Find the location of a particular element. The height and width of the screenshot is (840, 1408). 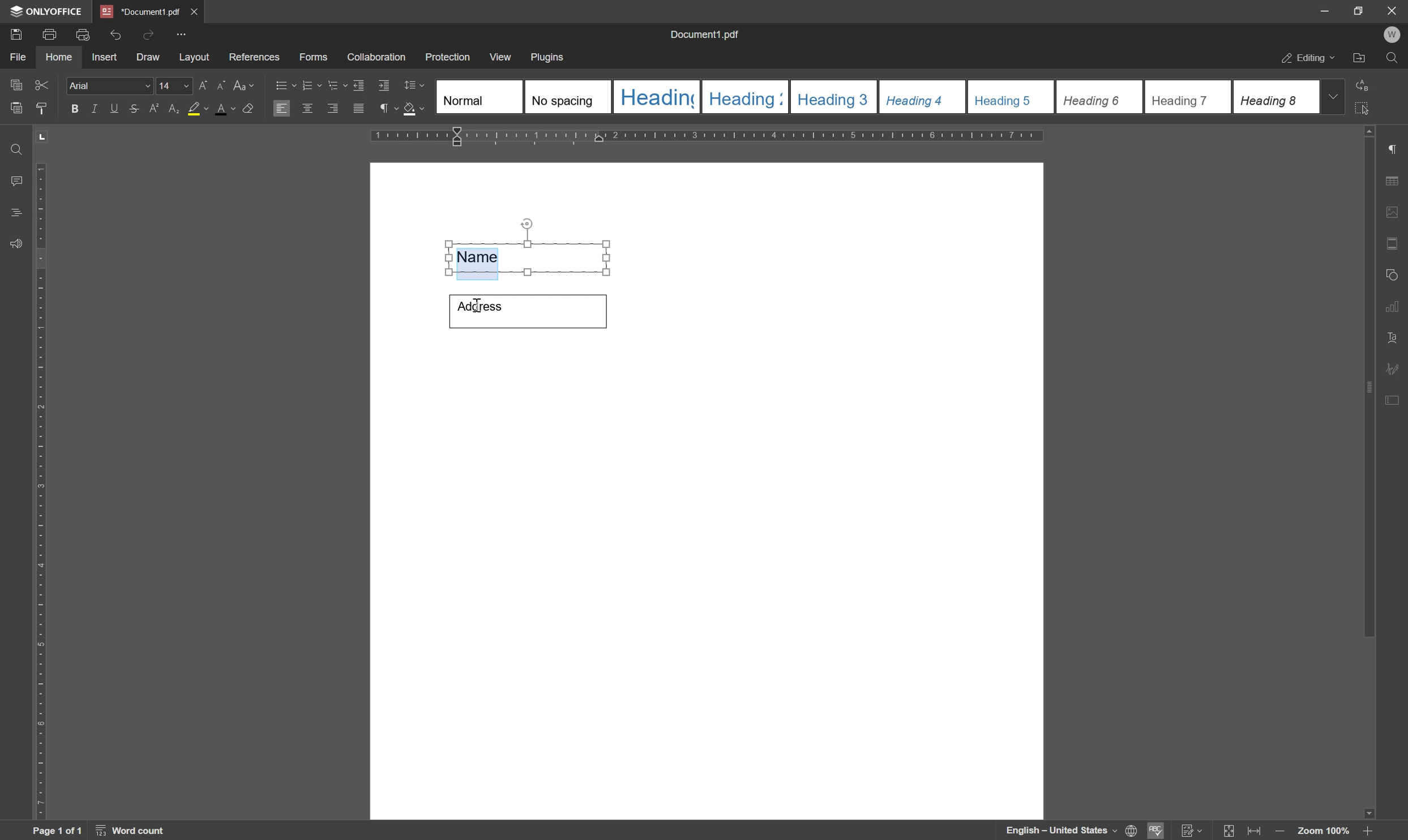

paste is located at coordinates (17, 109).